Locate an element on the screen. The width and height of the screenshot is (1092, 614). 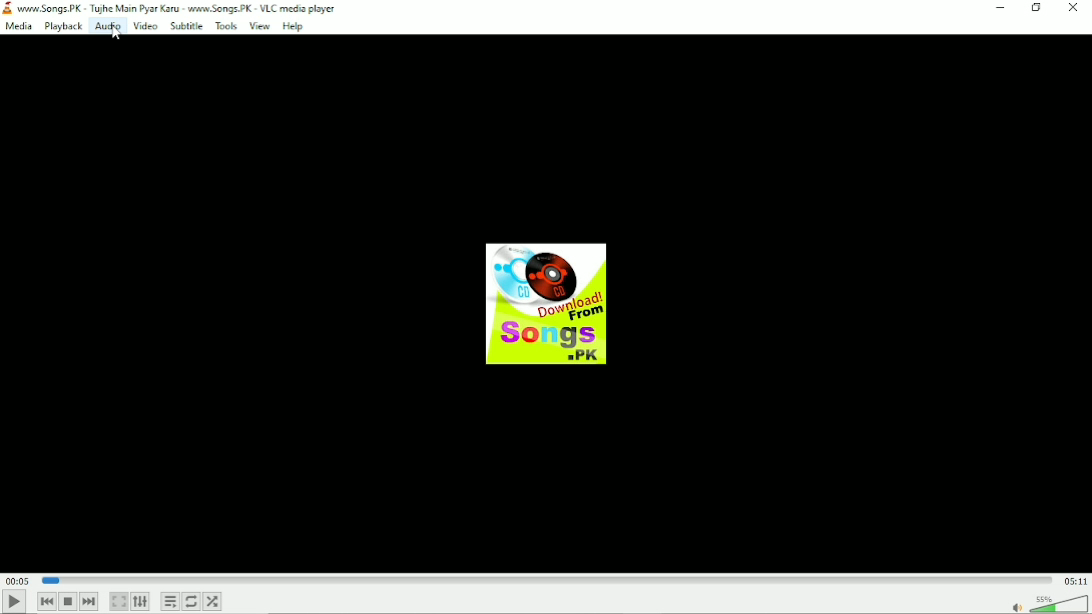
Audio track image is located at coordinates (543, 304).